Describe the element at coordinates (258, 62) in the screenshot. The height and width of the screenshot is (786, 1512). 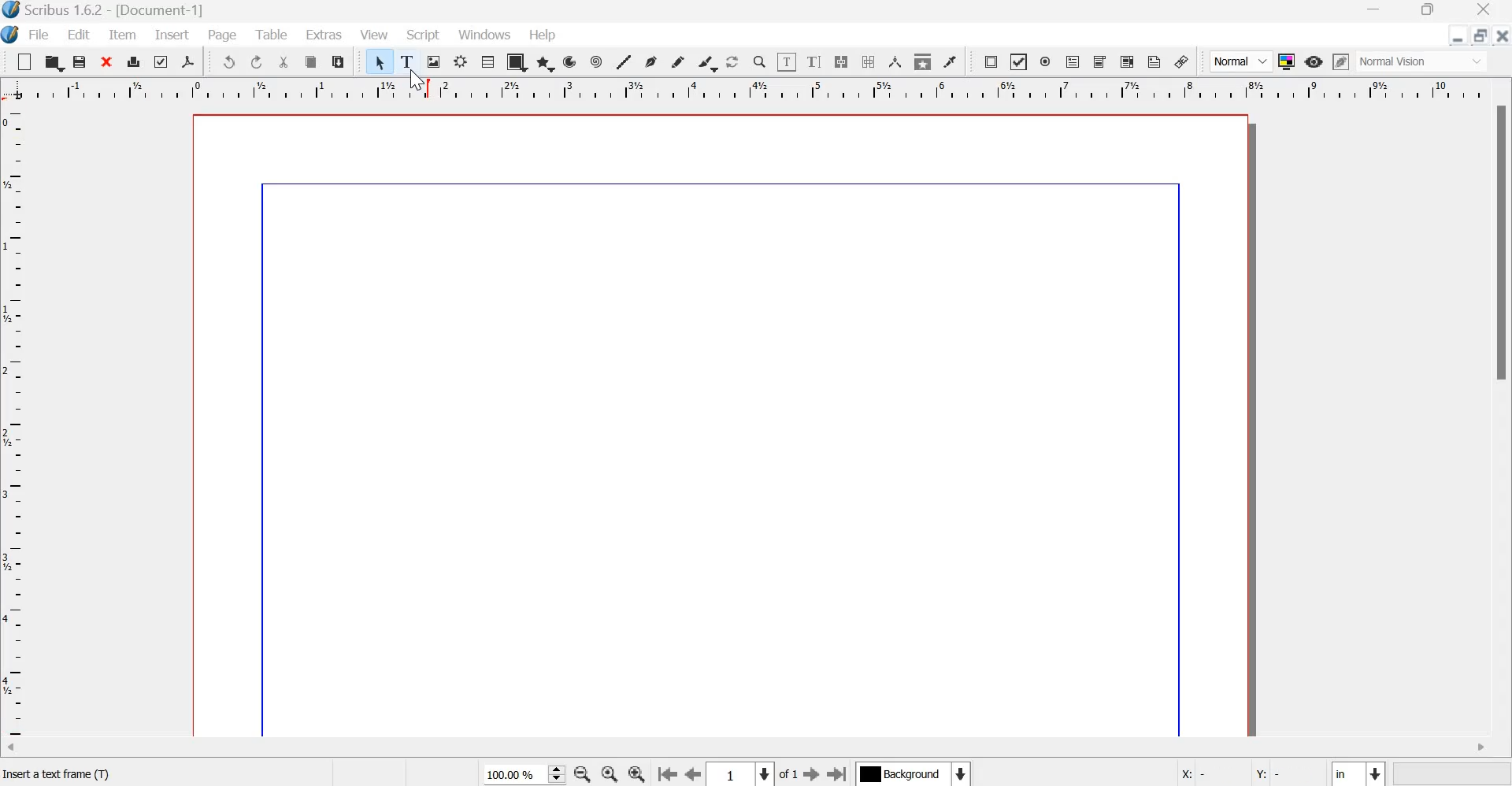
I see `redo` at that location.